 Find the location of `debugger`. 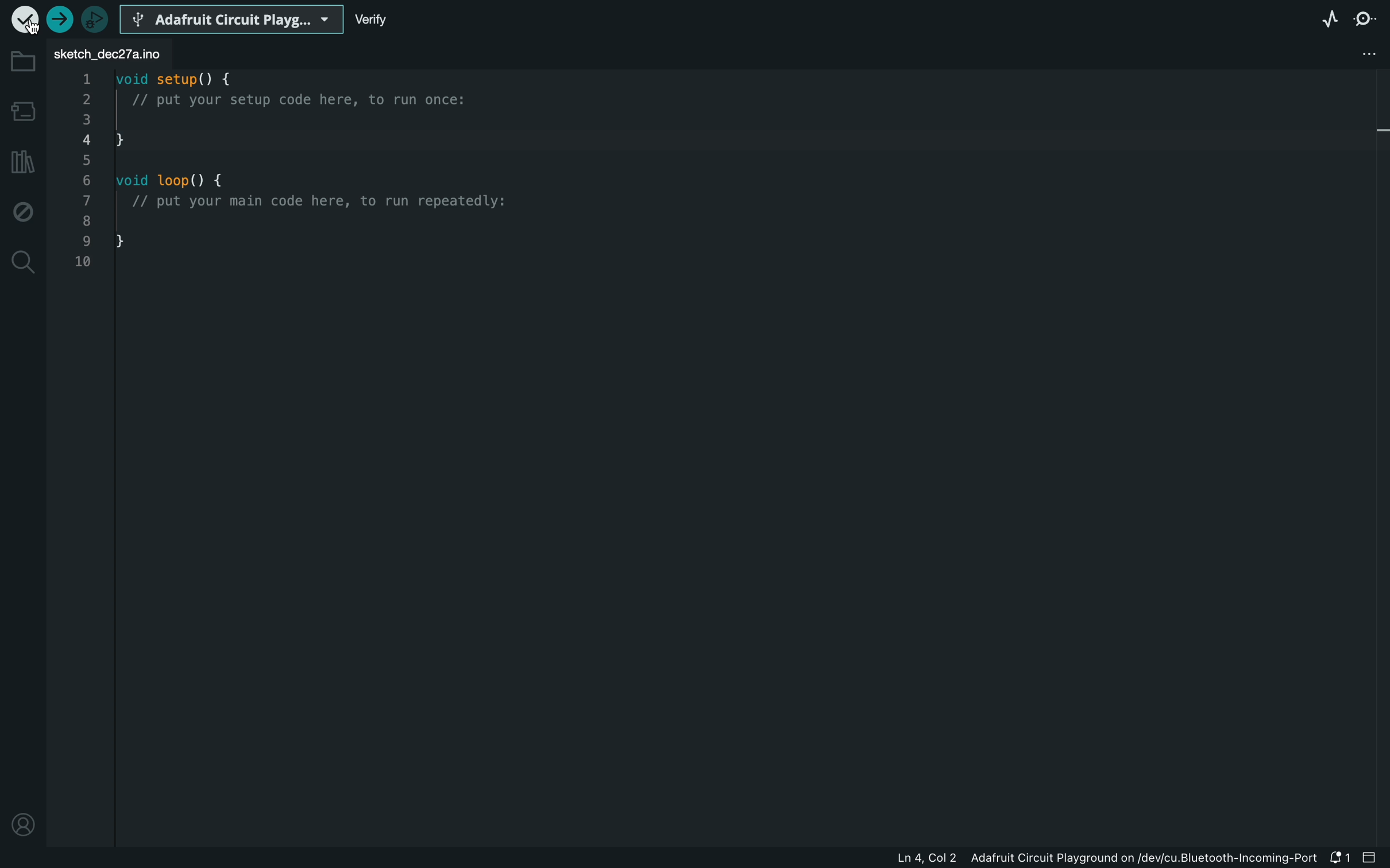

debugger is located at coordinates (96, 17).